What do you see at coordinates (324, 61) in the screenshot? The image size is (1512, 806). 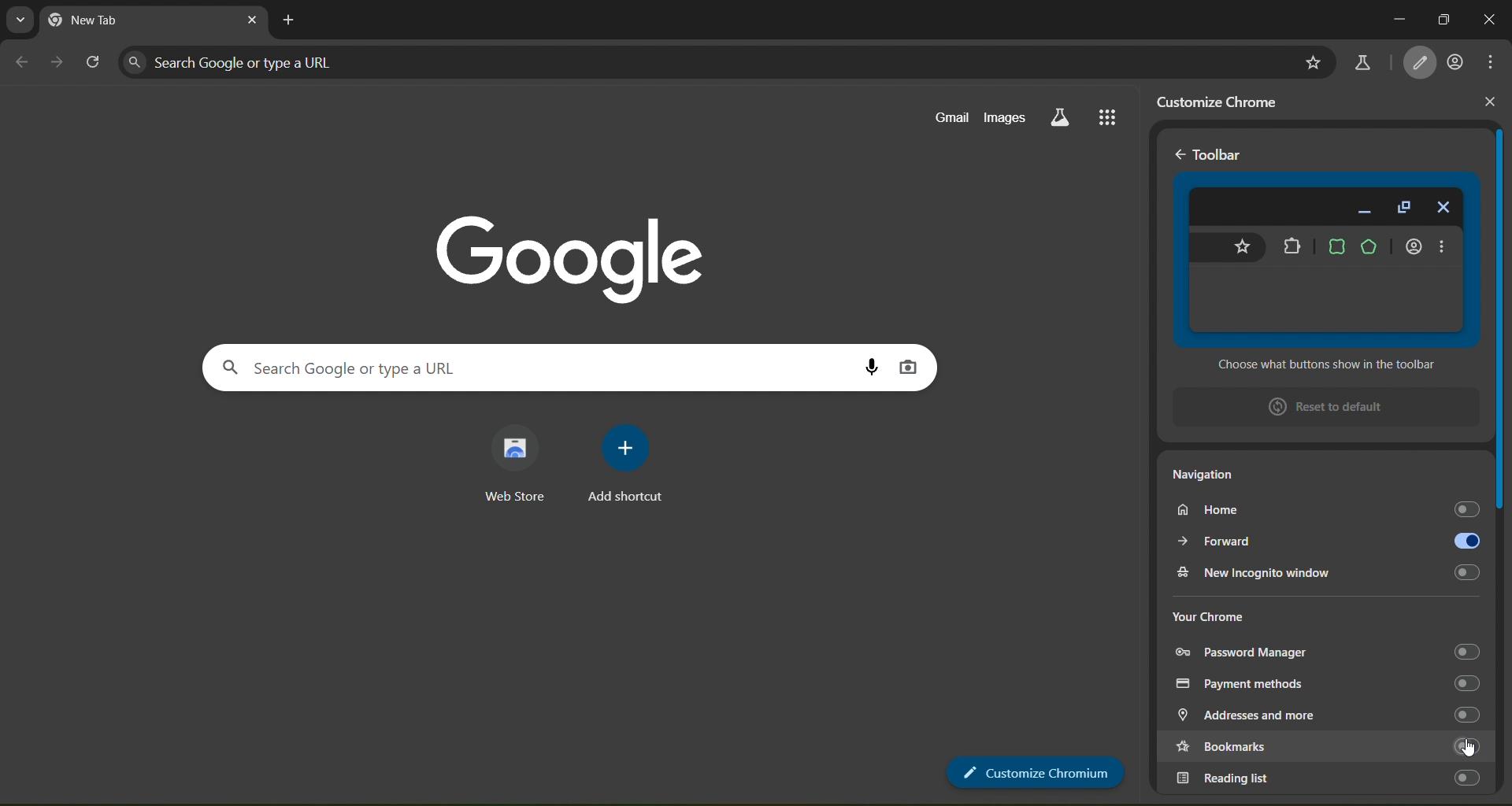 I see `search panel` at bounding box center [324, 61].